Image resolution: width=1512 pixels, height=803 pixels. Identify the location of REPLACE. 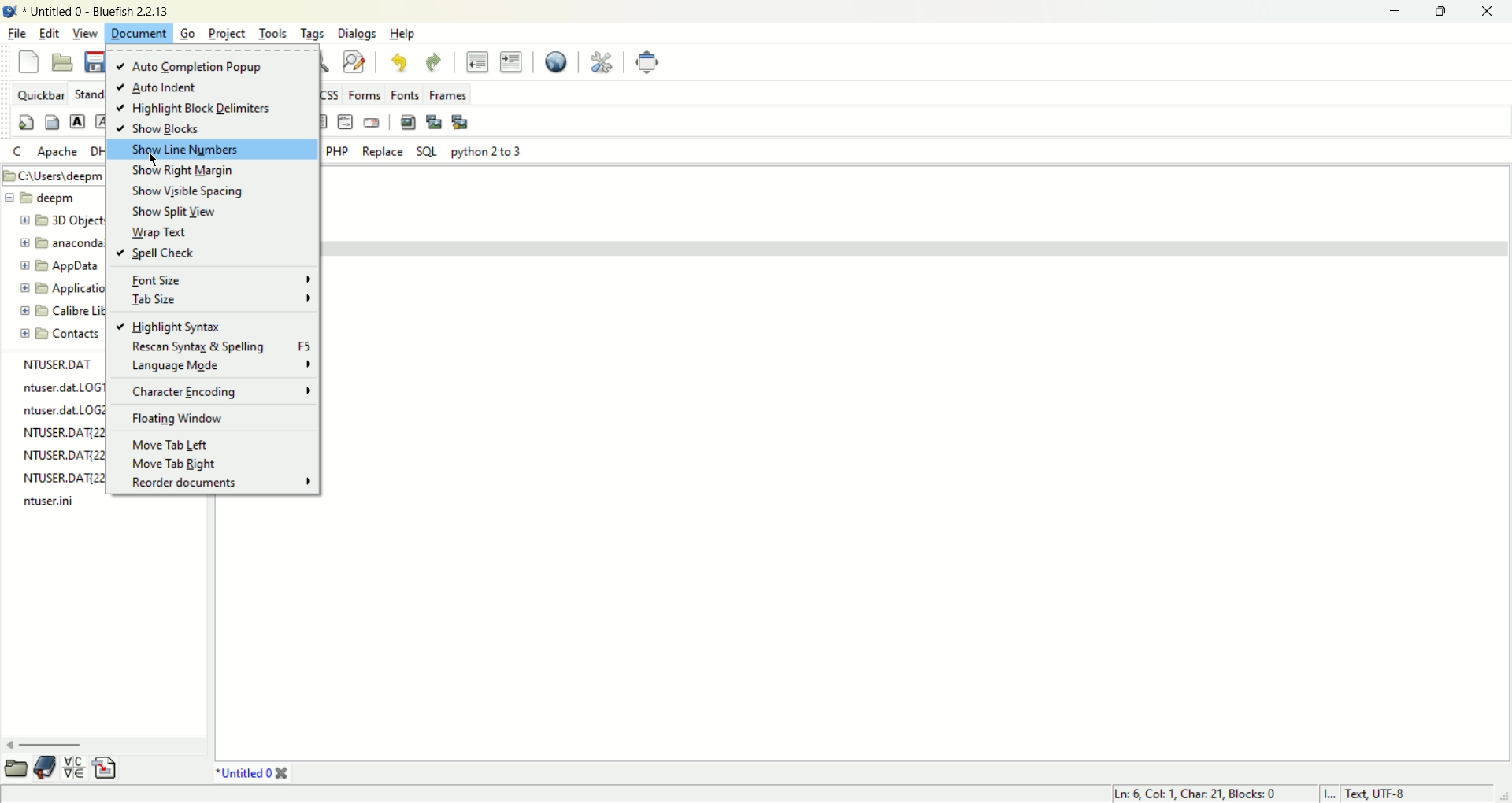
(383, 151).